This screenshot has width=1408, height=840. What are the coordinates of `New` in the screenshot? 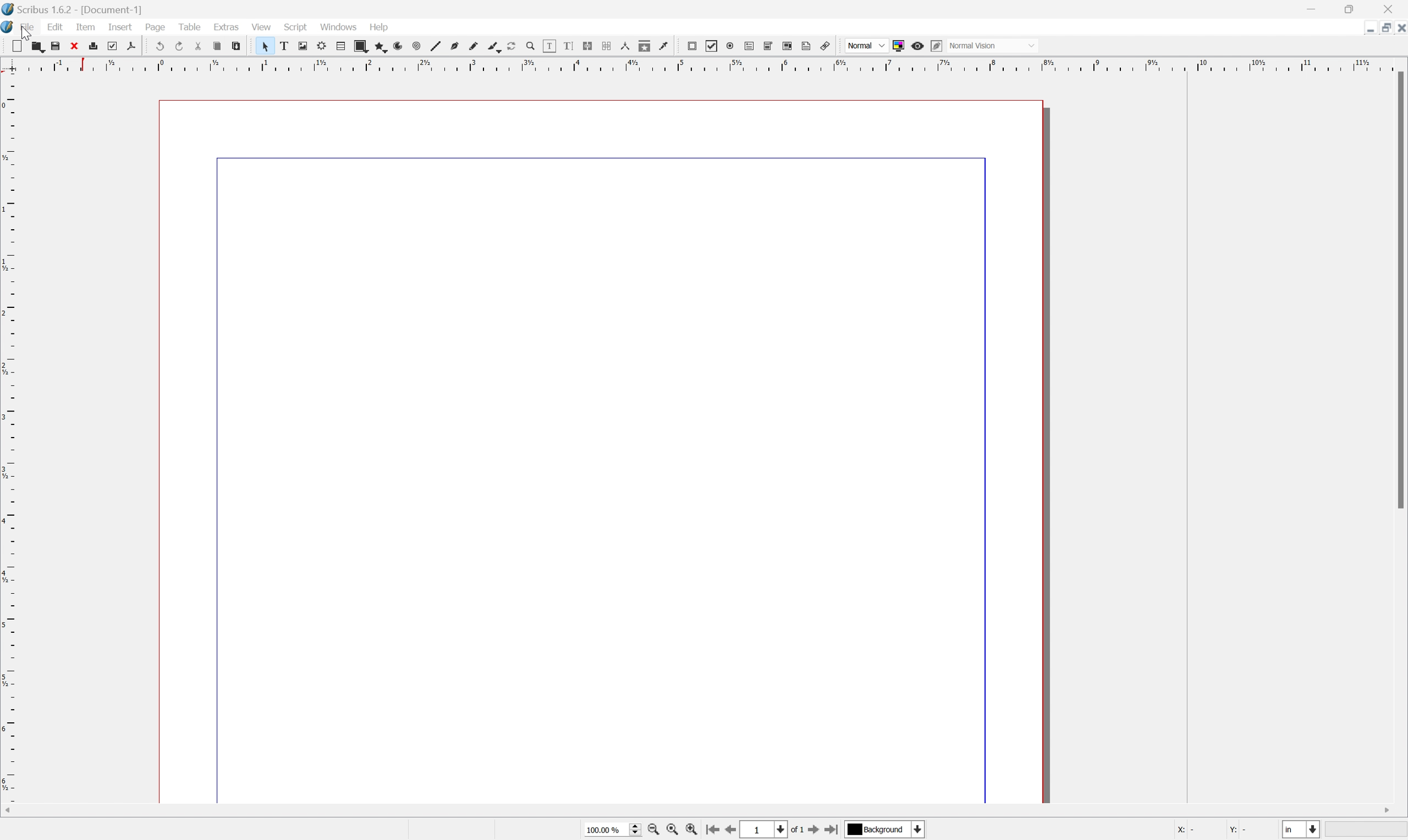 It's located at (16, 46).